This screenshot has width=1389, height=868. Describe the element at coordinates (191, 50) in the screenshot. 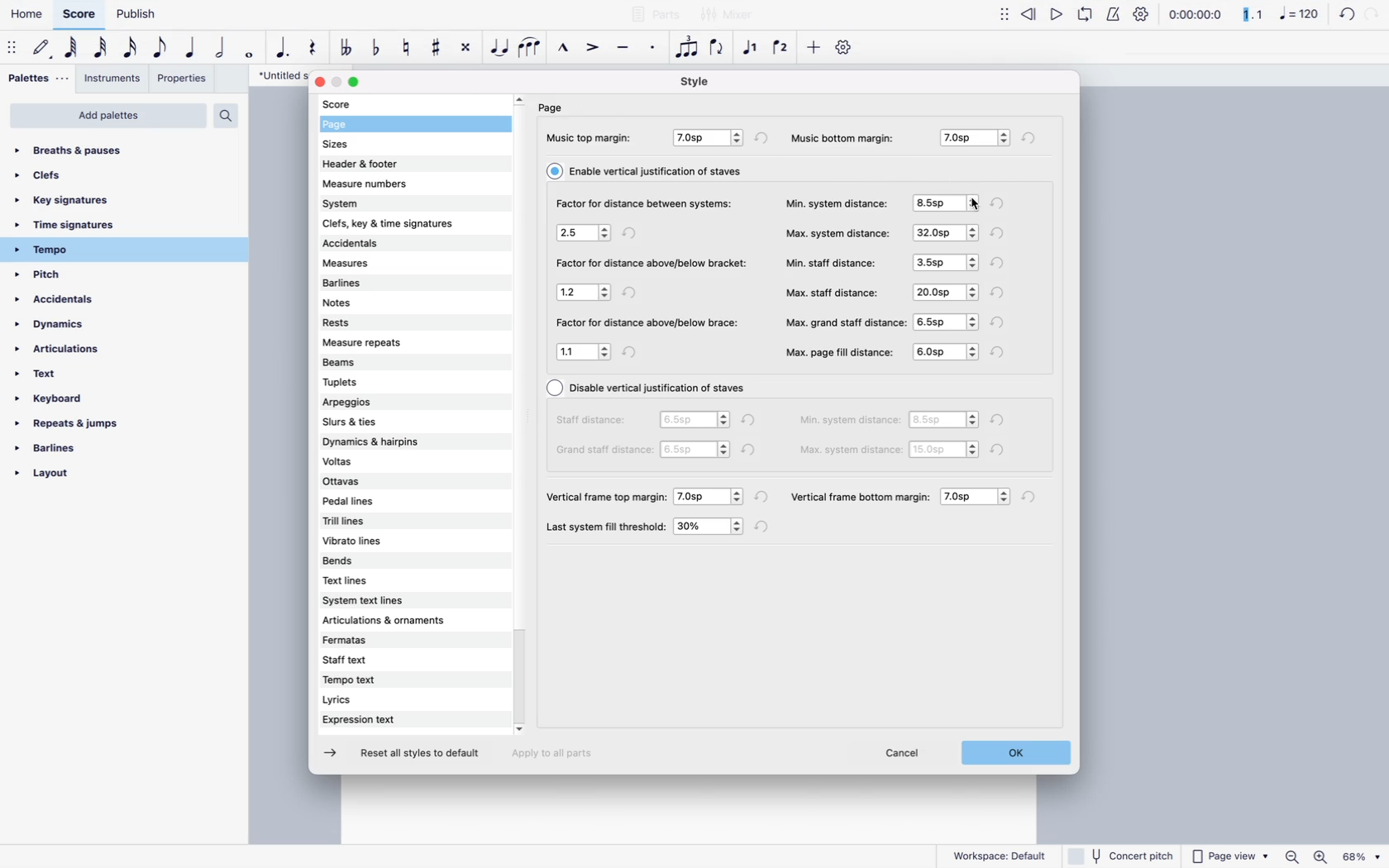

I see `quarter note` at that location.